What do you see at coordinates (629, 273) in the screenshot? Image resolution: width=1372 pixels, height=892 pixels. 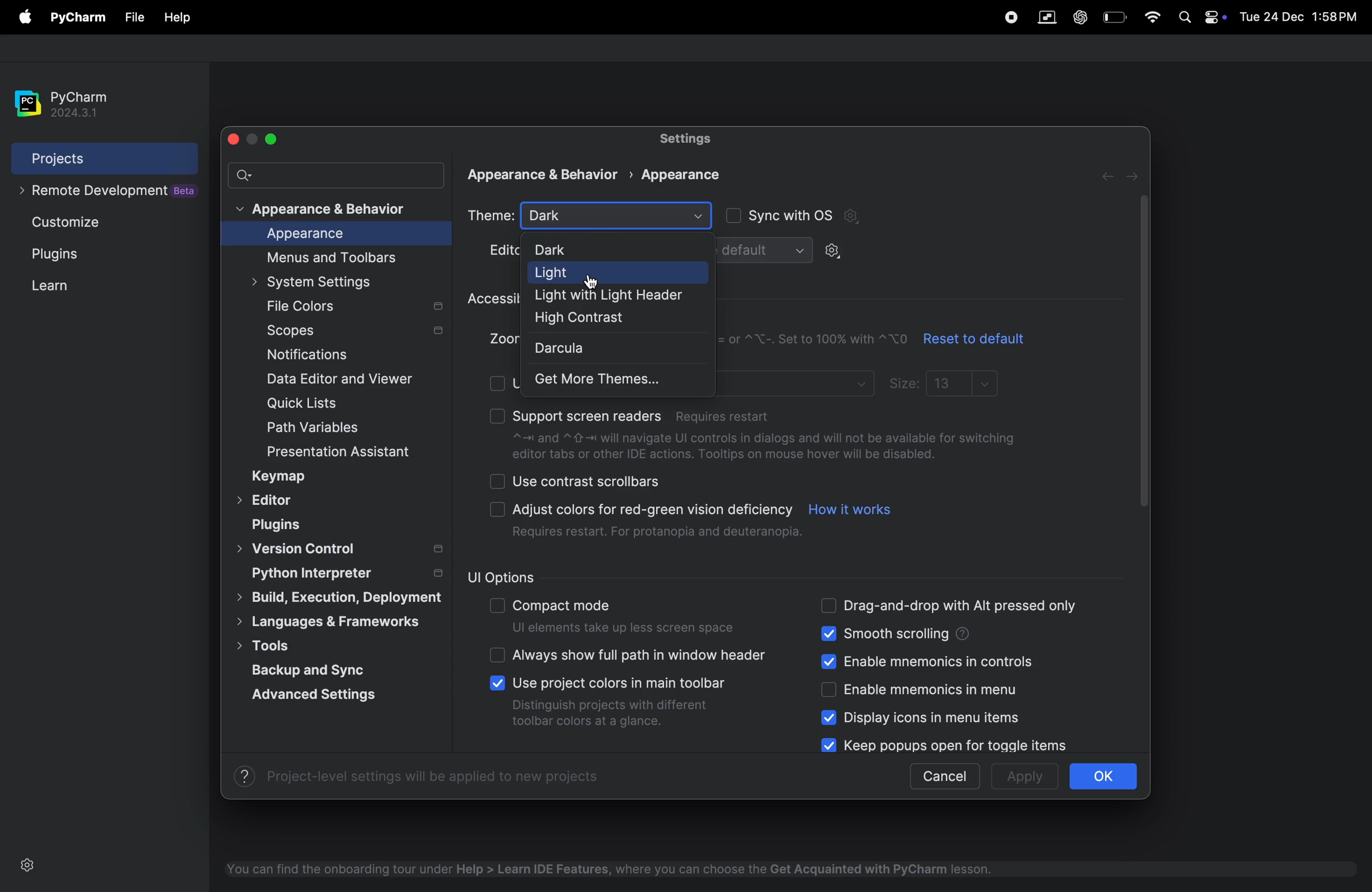 I see `light` at bounding box center [629, 273].